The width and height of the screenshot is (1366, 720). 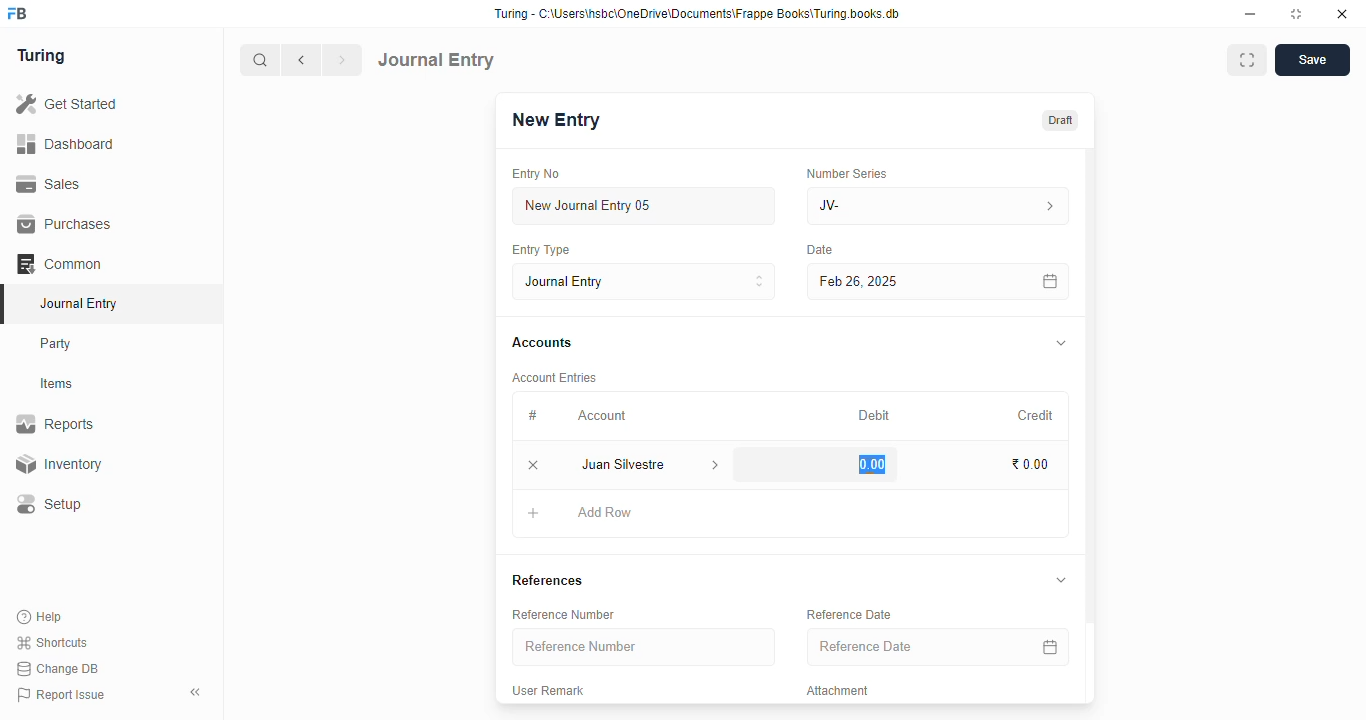 I want to click on calendar icon, so click(x=1049, y=281).